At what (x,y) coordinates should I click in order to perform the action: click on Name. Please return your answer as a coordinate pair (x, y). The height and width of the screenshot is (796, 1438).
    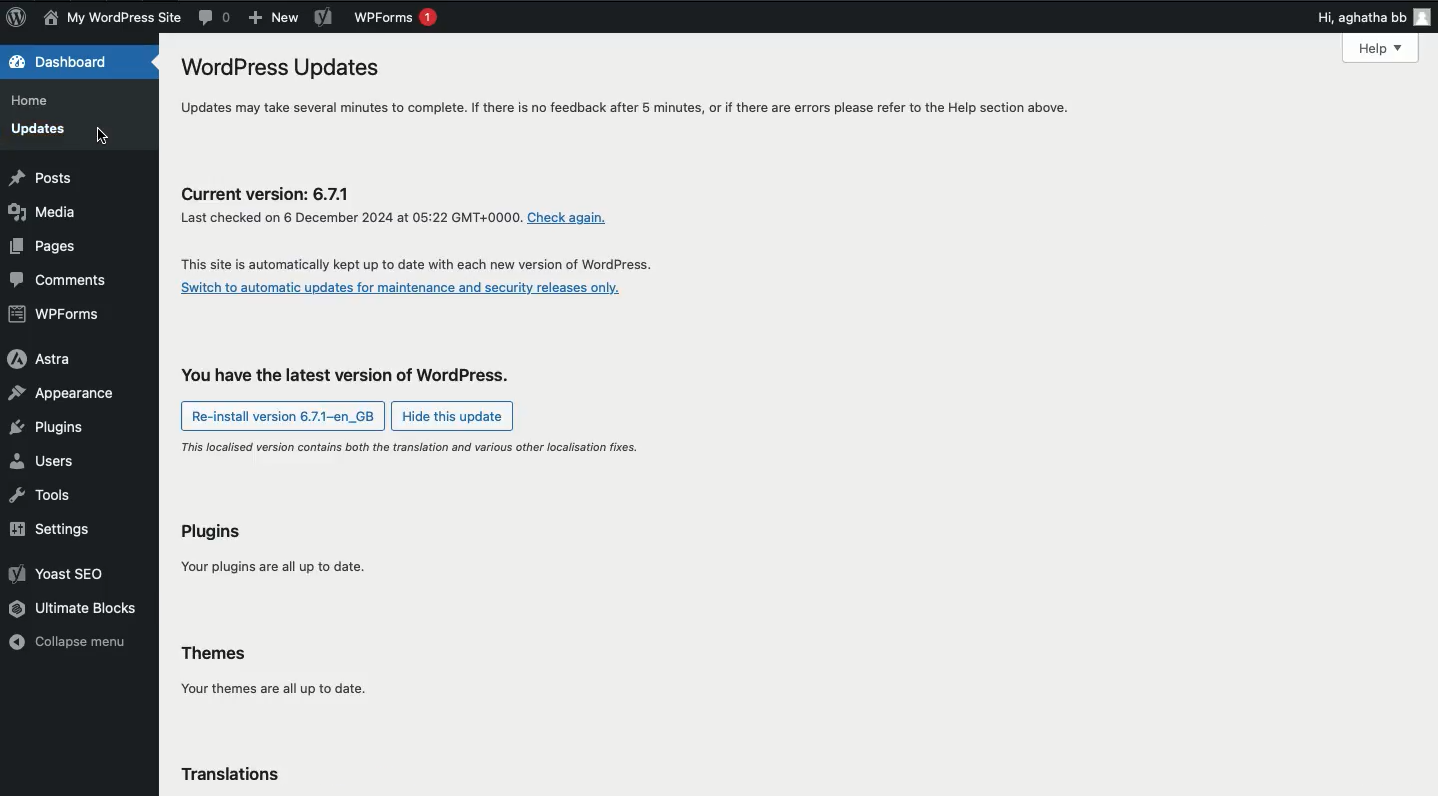
    Looking at the image, I should click on (116, 18).